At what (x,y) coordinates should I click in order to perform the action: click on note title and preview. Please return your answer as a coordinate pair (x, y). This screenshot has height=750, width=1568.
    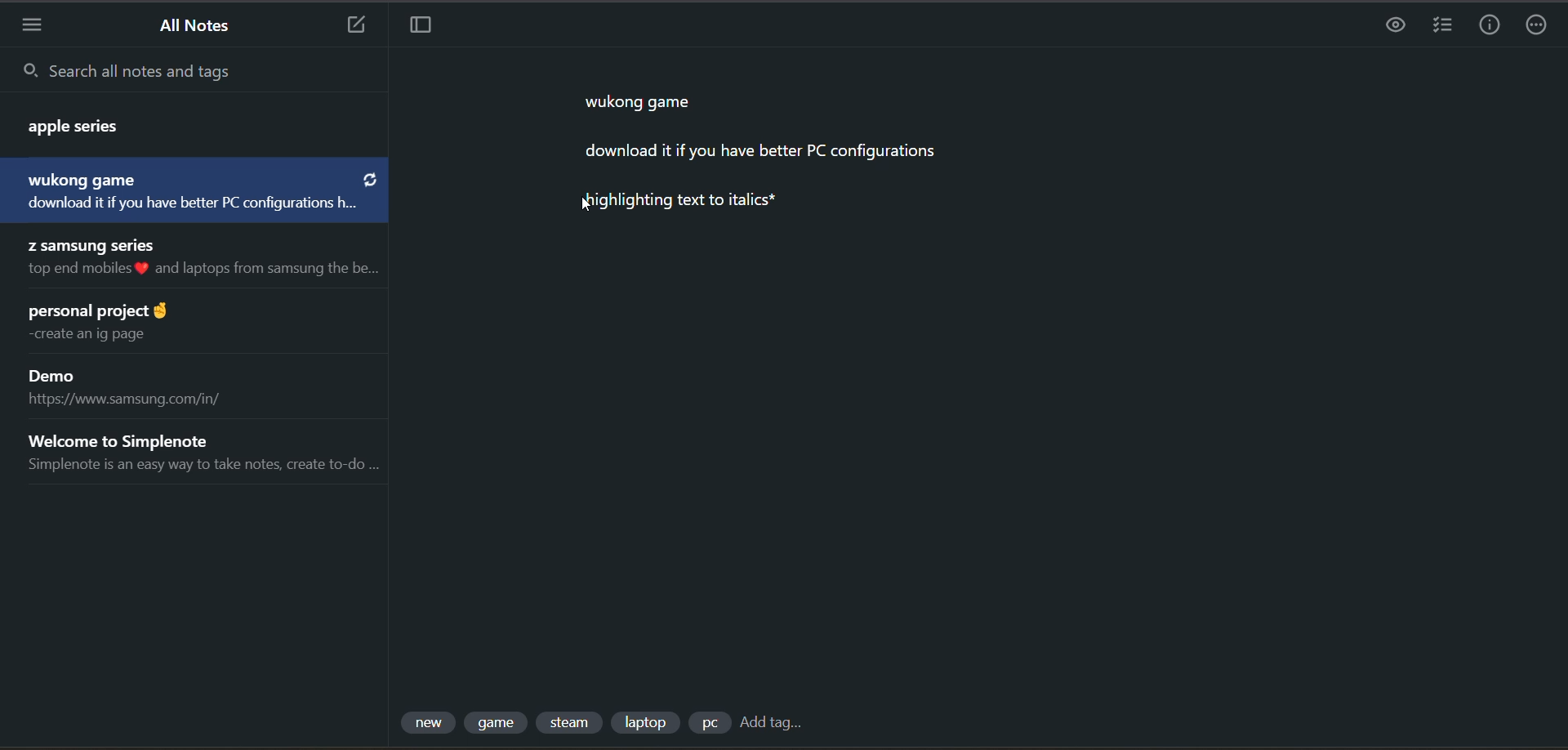
    Looking at the image, I should click on (190, 190).